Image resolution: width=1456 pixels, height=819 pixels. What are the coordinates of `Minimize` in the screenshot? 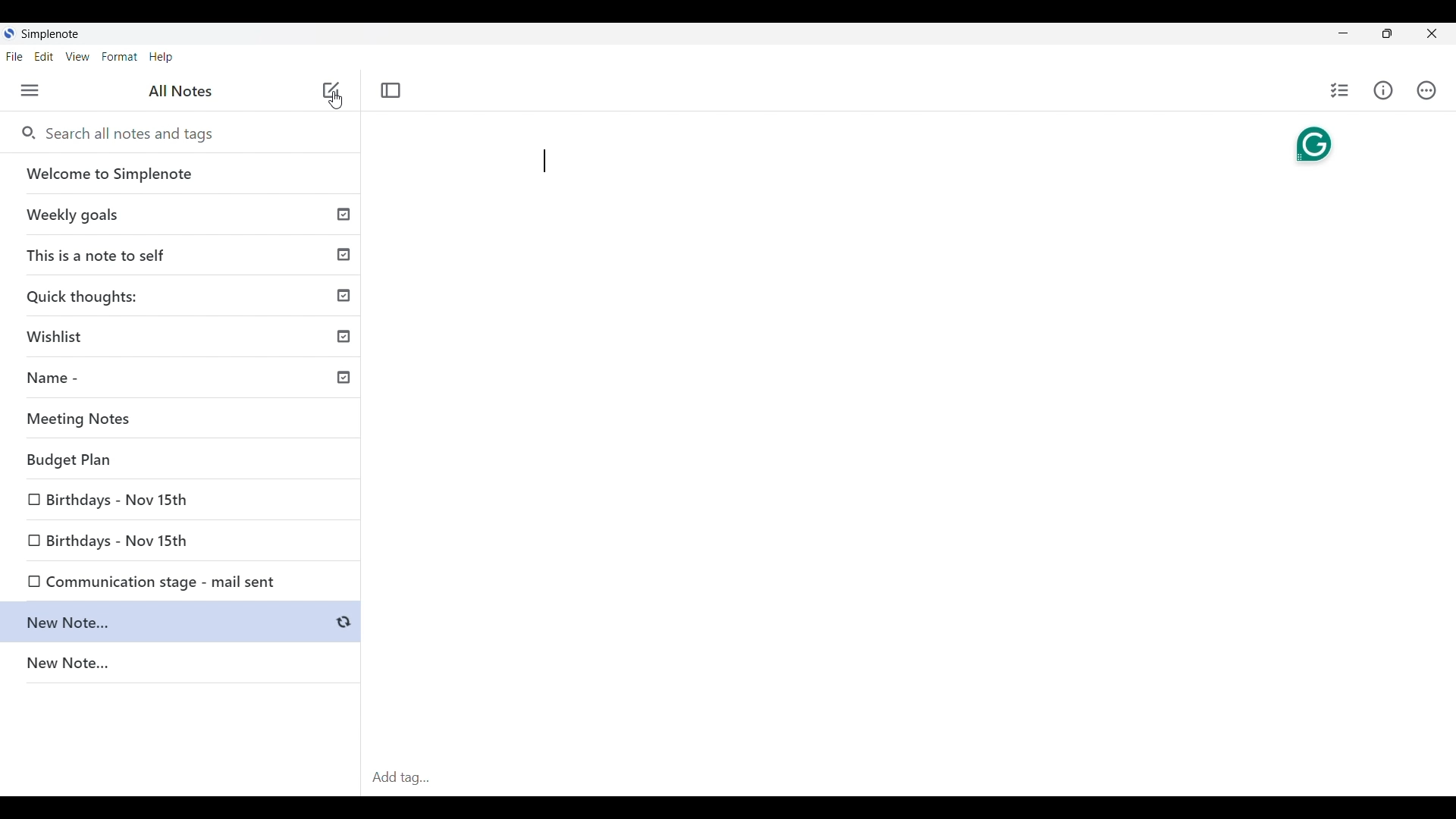 It's located at (1343, 33).